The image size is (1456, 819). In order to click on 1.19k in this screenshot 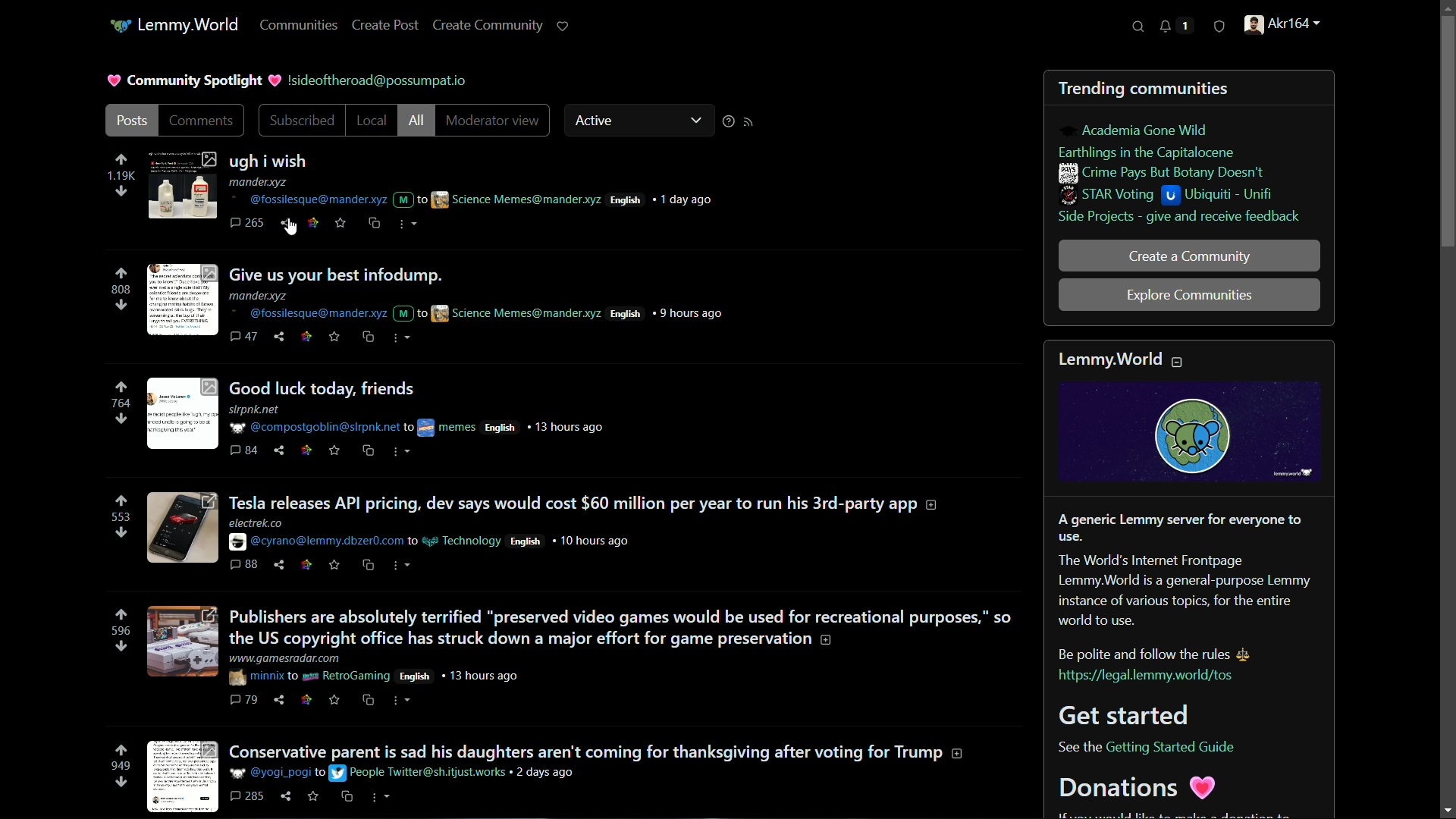, I will do `click(120, 177)`.